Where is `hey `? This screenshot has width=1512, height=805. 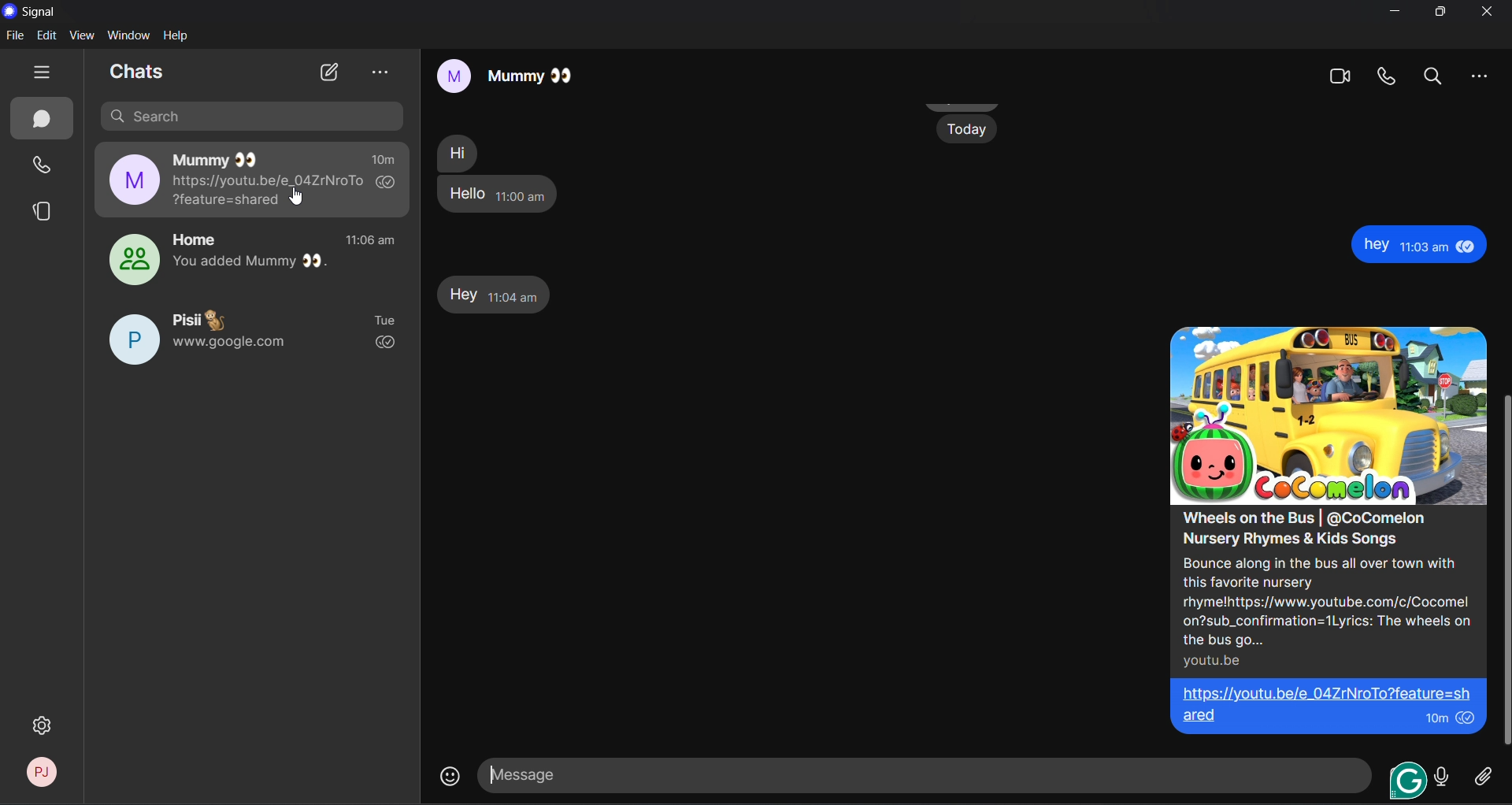
hey  is located at coordinates (1418, 246).